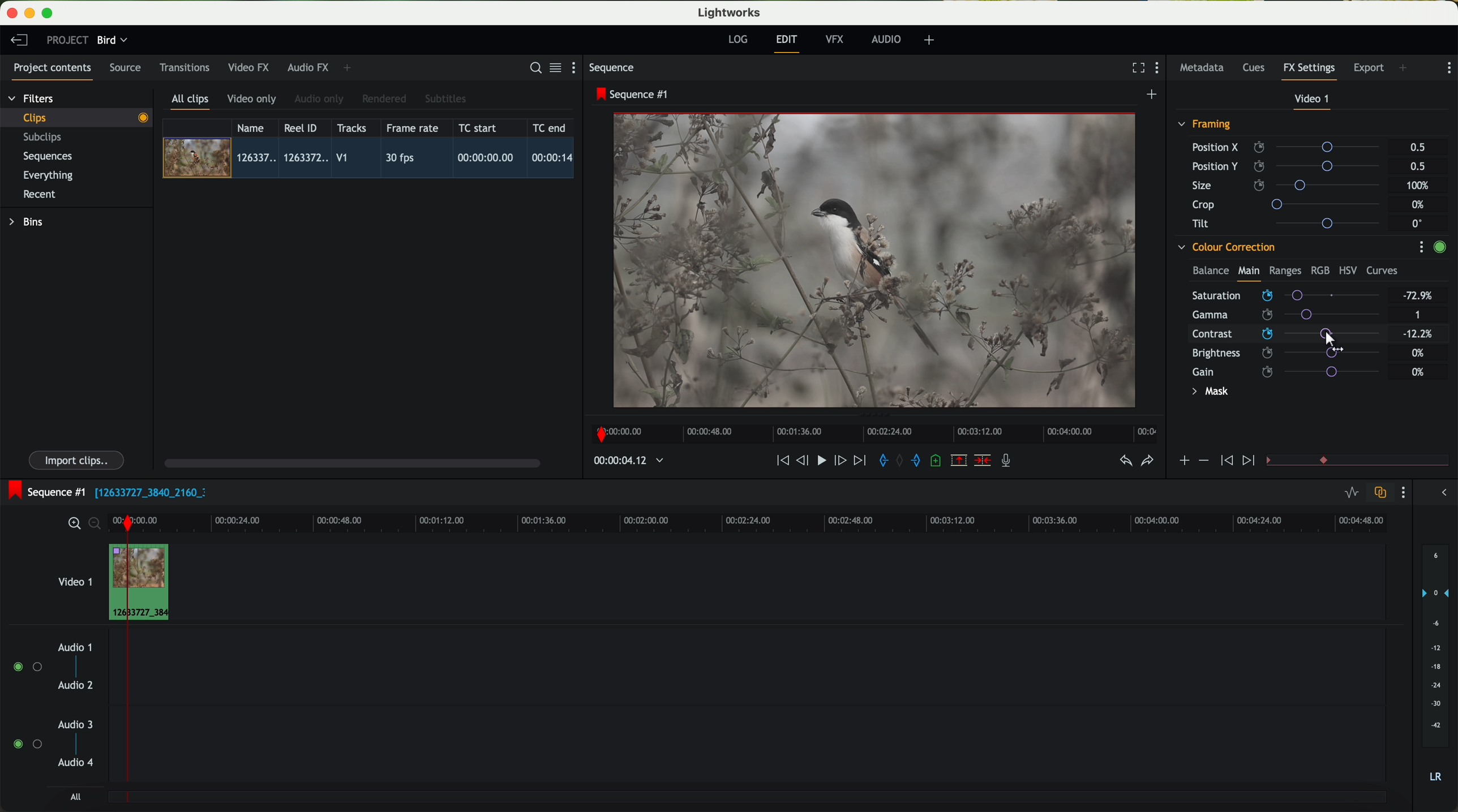 The height and width of the screenshot is (812, 1458). What do you see at coordinates (1205, 126) in the screenshot?
I see `framing` at bounding box center [1205, 126].